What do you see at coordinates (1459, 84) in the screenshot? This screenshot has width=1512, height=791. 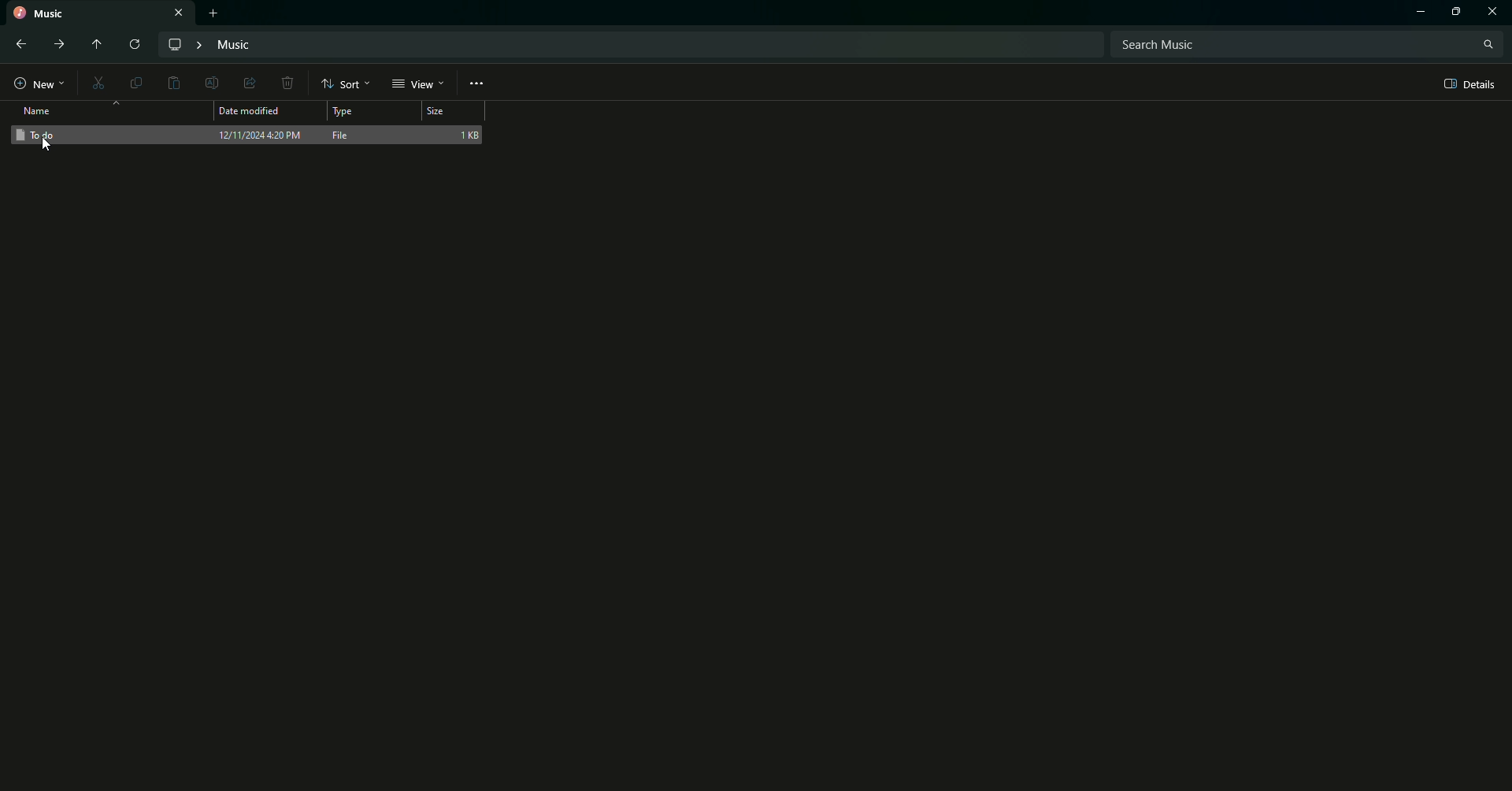 I see `Details` at bounding box center [1459, 84].